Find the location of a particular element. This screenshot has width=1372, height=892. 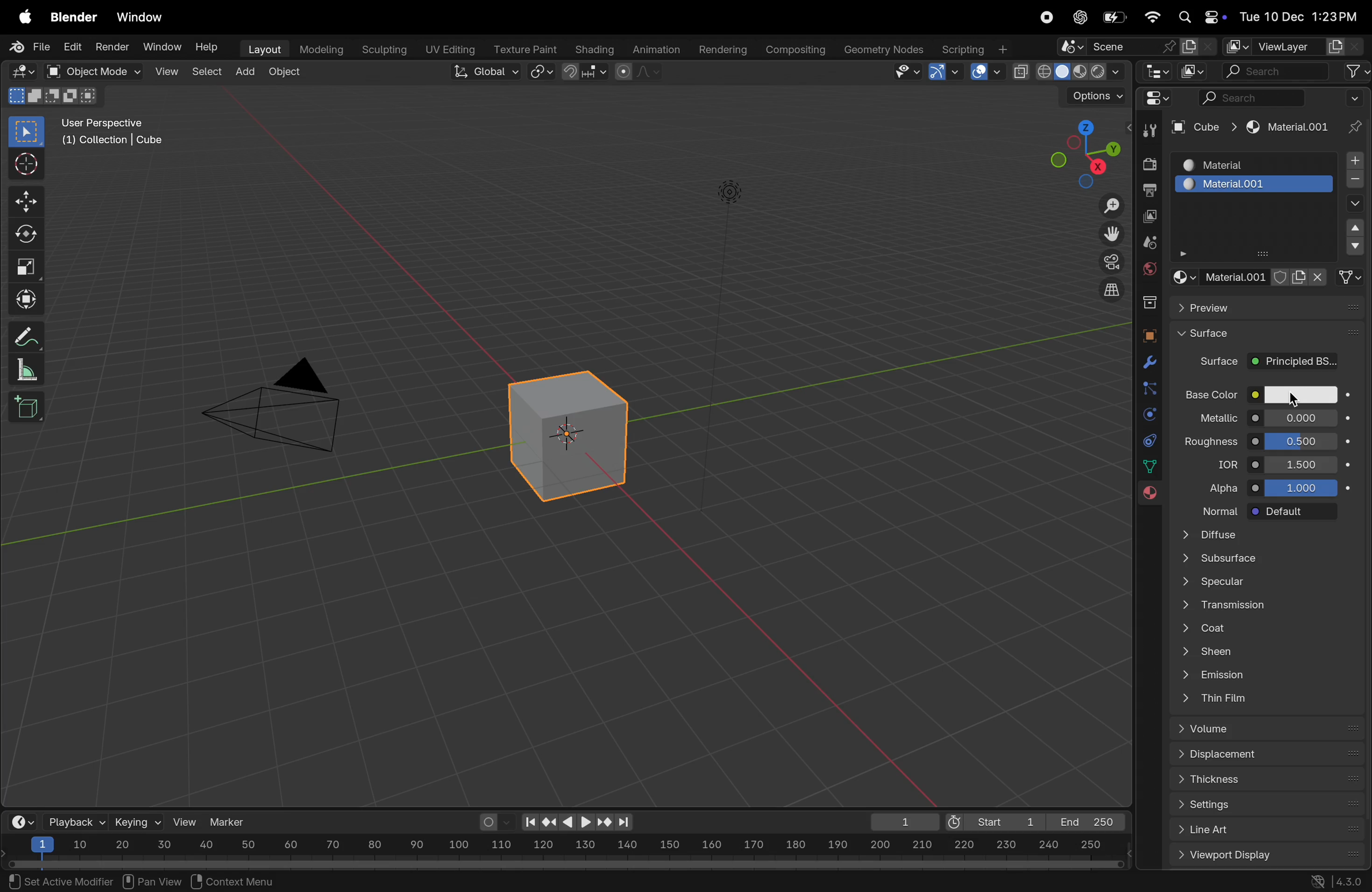

display mode is located at coordinates (1194, 71).